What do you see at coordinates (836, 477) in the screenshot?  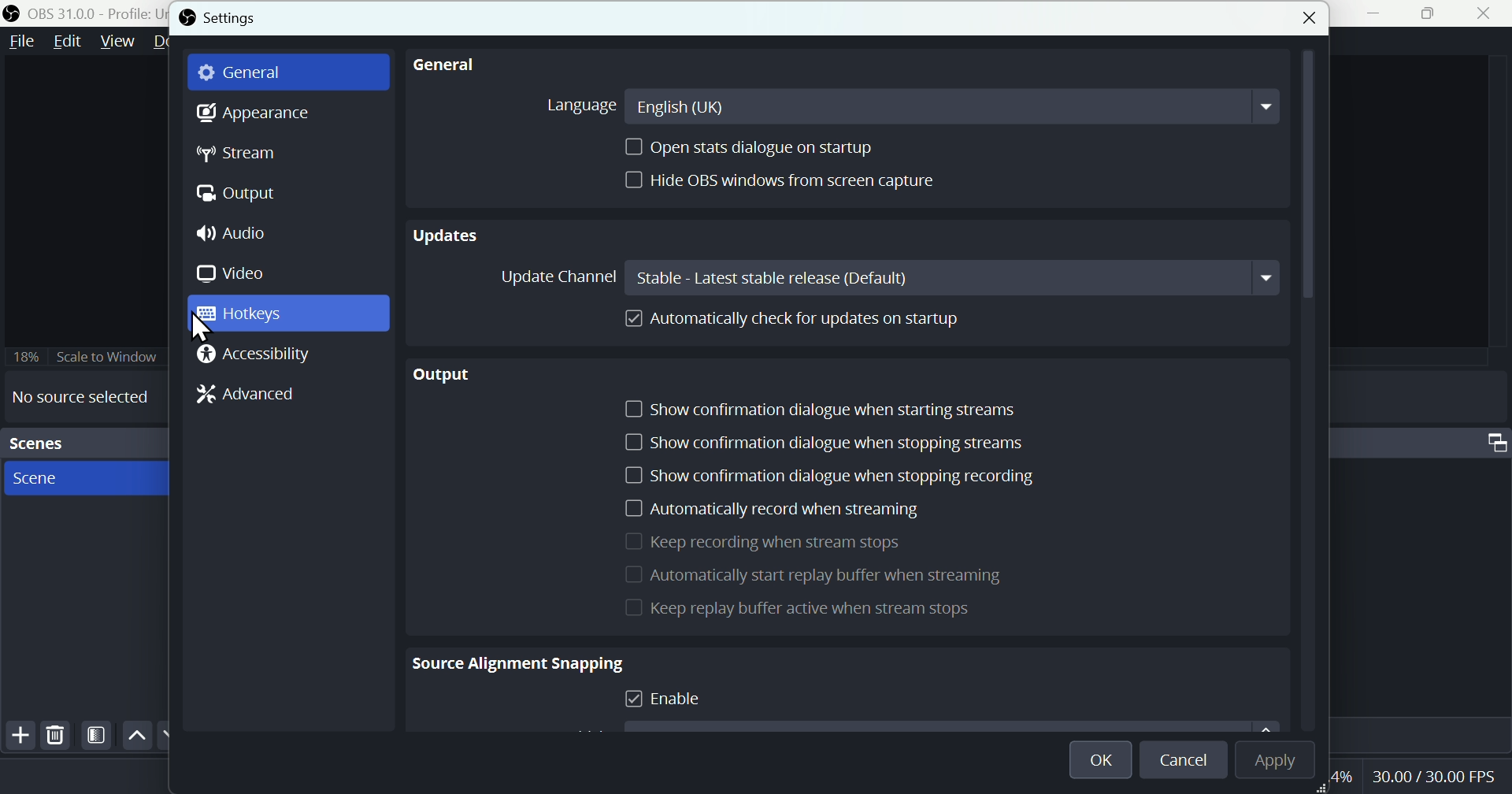 I see `Show confirmation dialogue when stopped recording` at bounding box center [836, 477].